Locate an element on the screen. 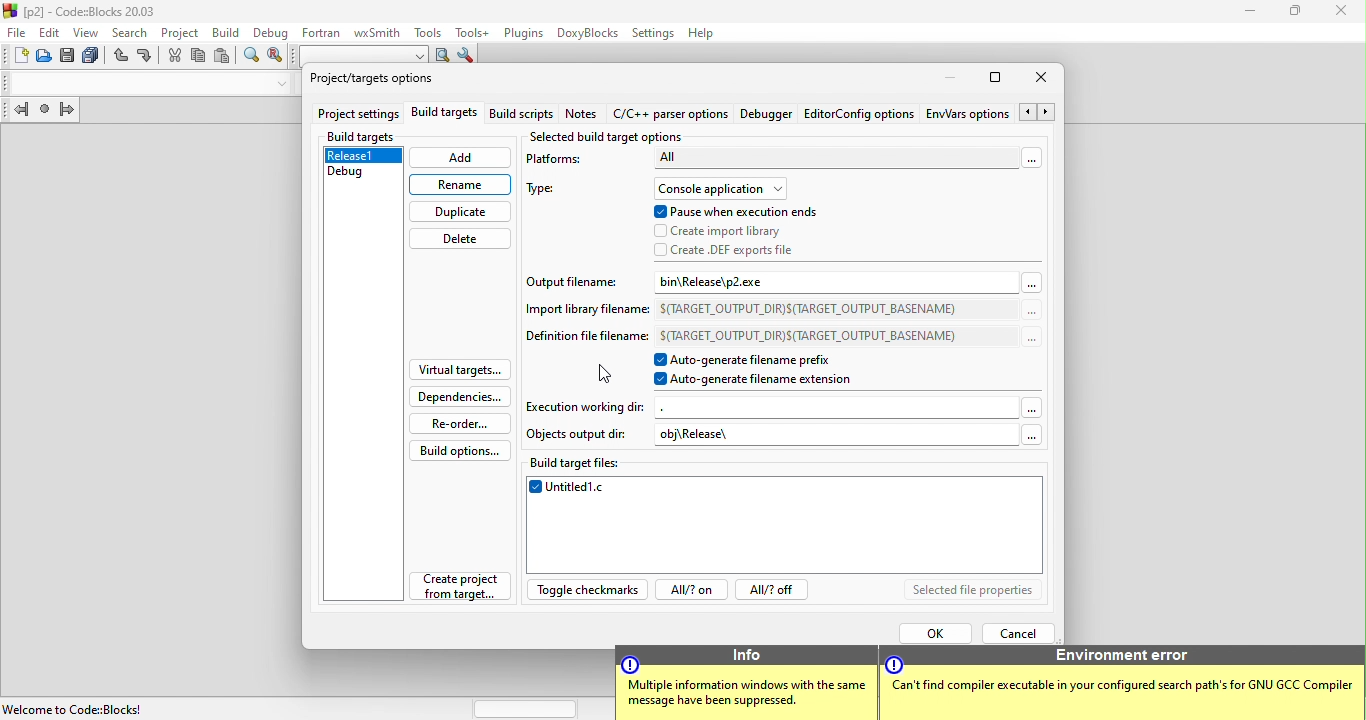 The width and height of the screenshot is (1366, 720). build options is located at coordinates (468, 451).